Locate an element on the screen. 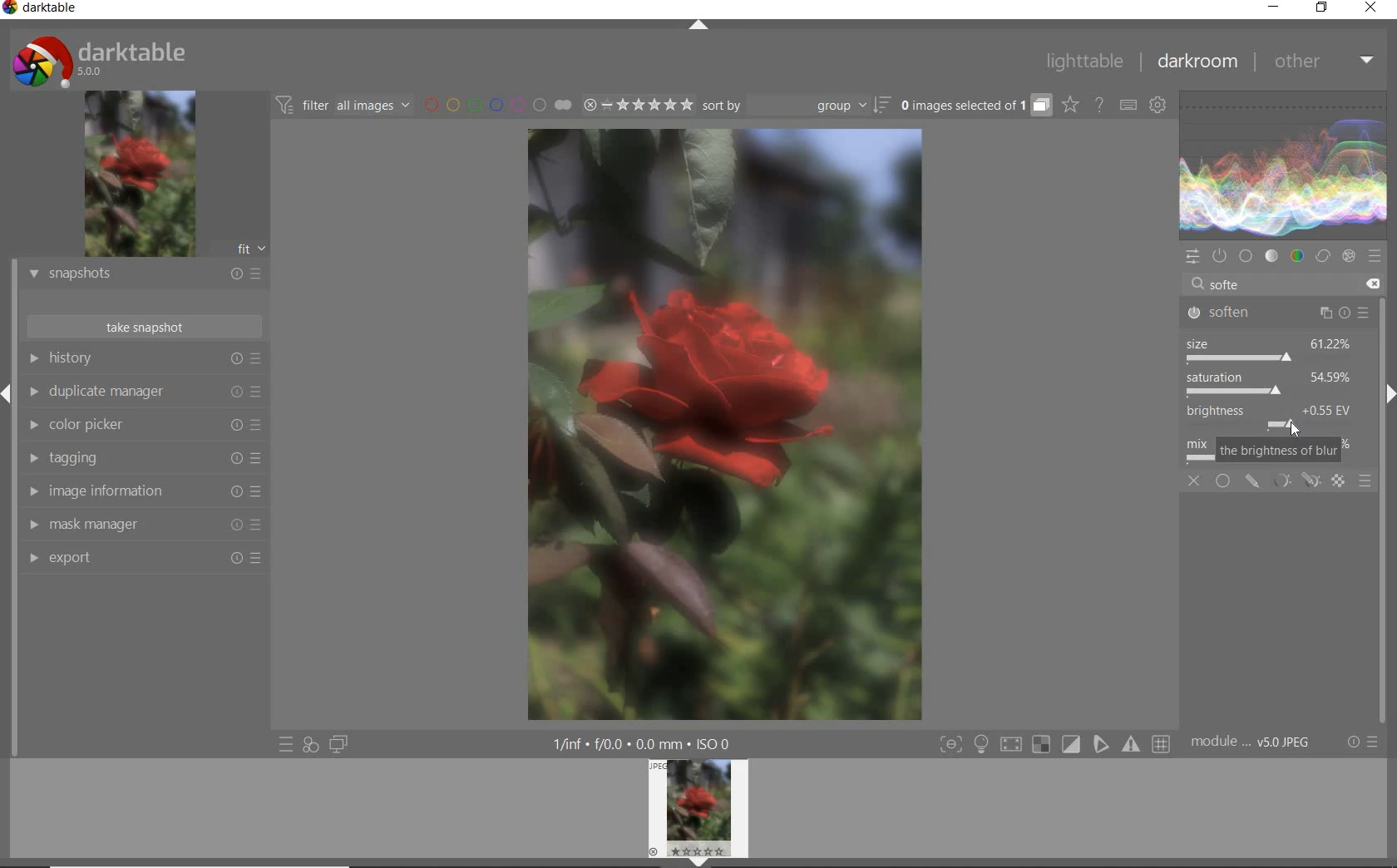  filter images by color labels is located at coordinates (496, 106).